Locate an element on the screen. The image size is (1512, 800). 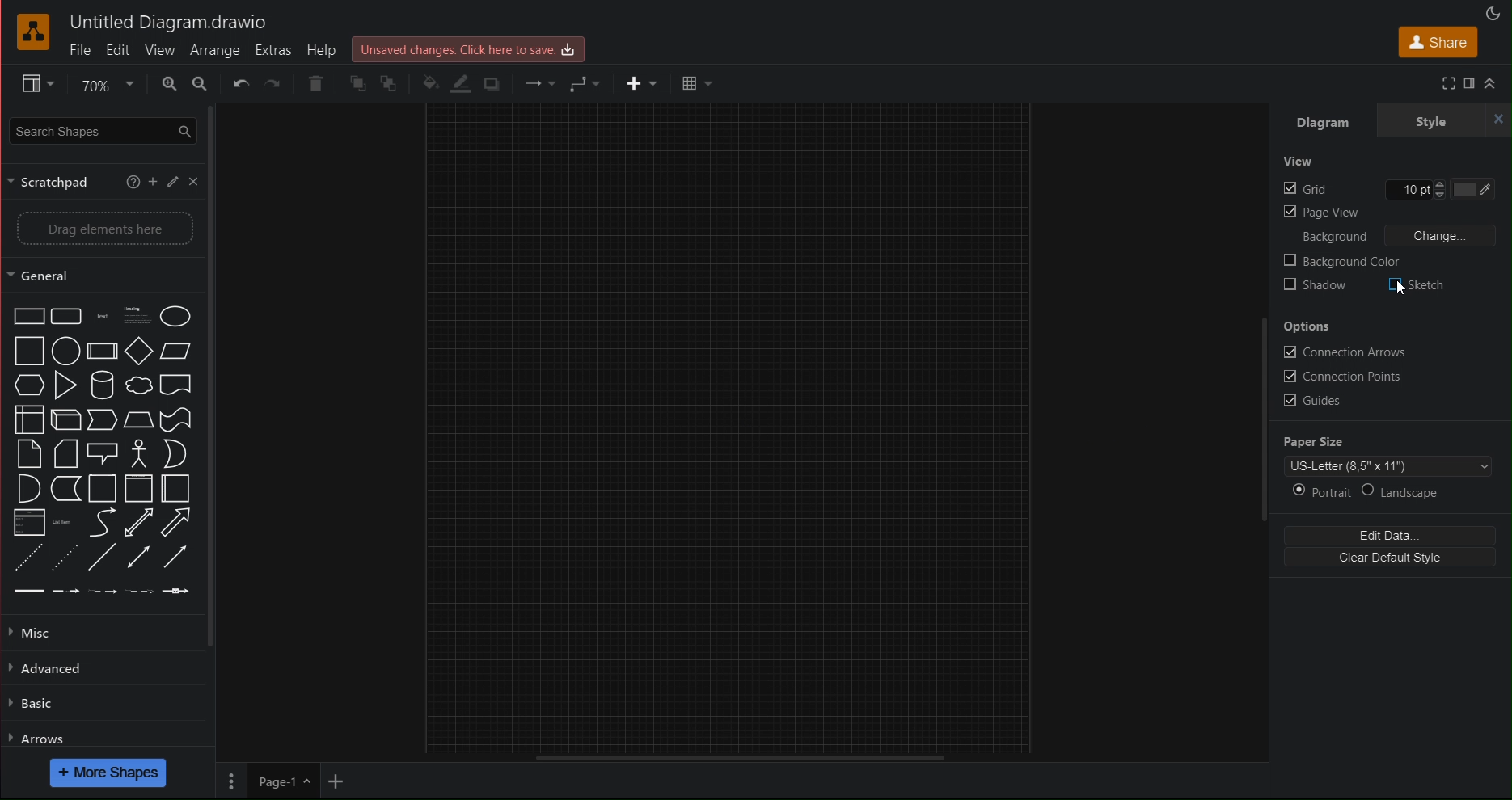
Drag elements is located at coordinates (95, 230).